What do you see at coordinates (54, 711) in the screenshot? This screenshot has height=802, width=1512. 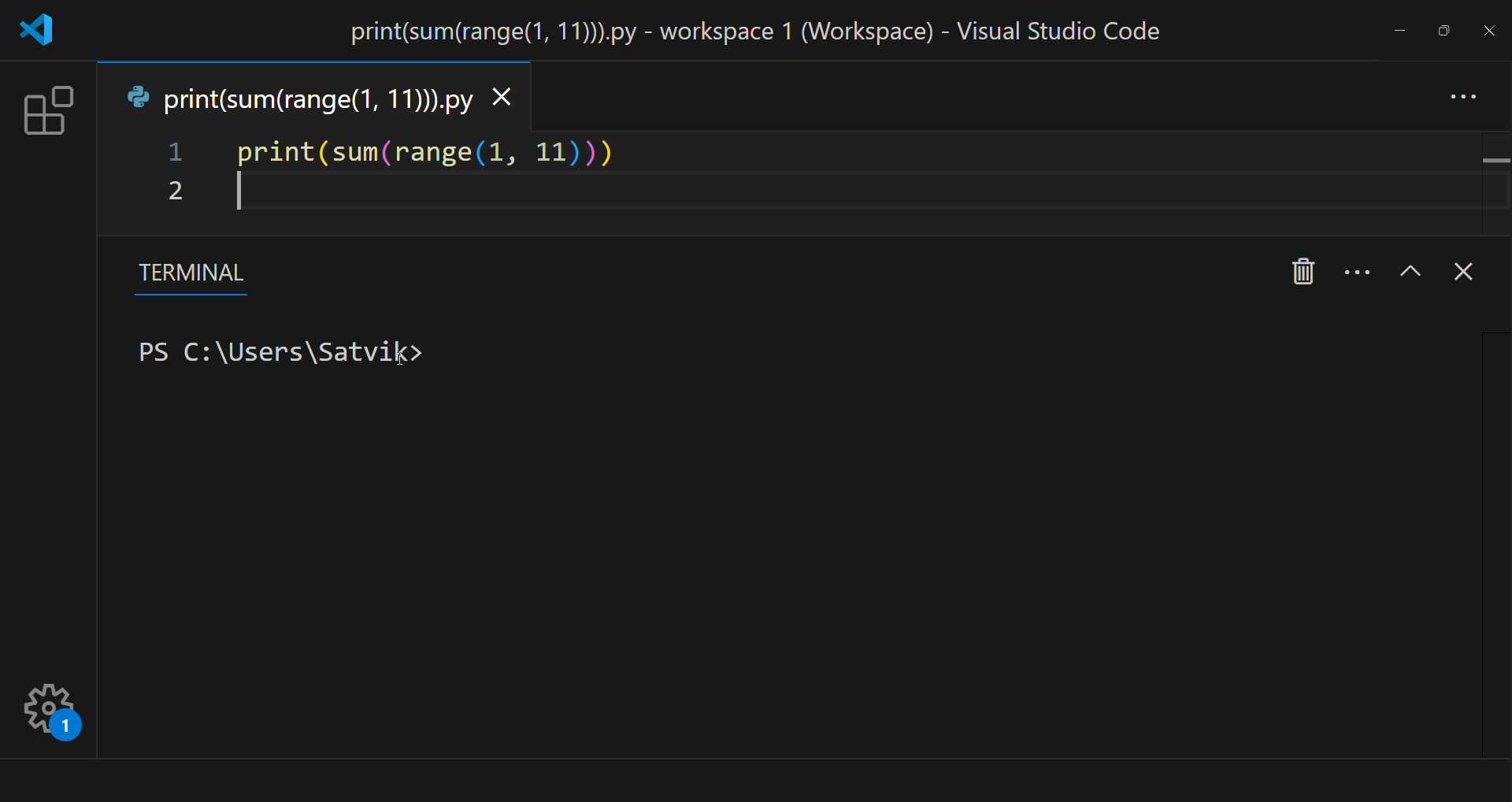 I see `setting` at bounding box center [54, 711].